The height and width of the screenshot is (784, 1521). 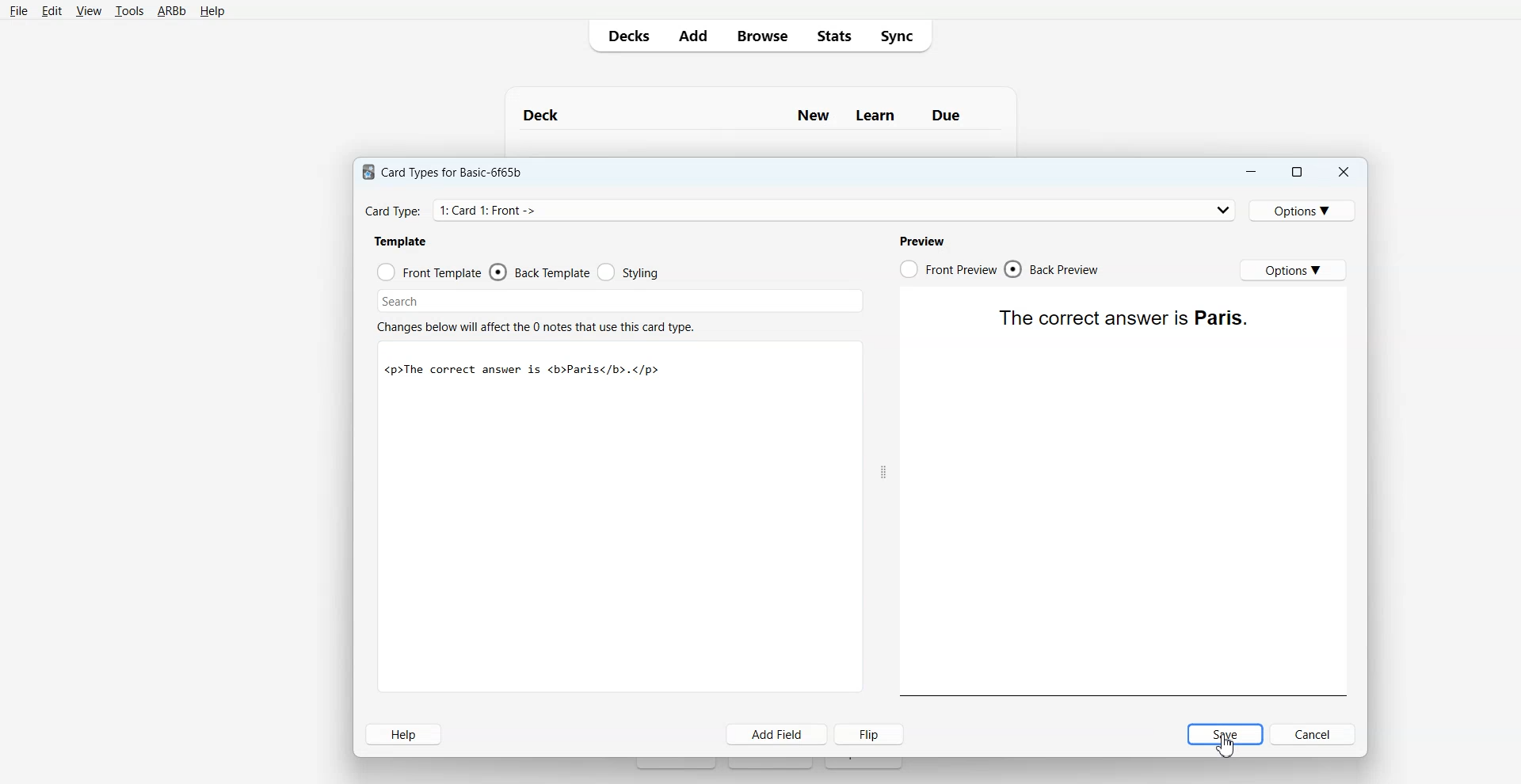 I want to click on Front Preview, so click(x=947, y=268).